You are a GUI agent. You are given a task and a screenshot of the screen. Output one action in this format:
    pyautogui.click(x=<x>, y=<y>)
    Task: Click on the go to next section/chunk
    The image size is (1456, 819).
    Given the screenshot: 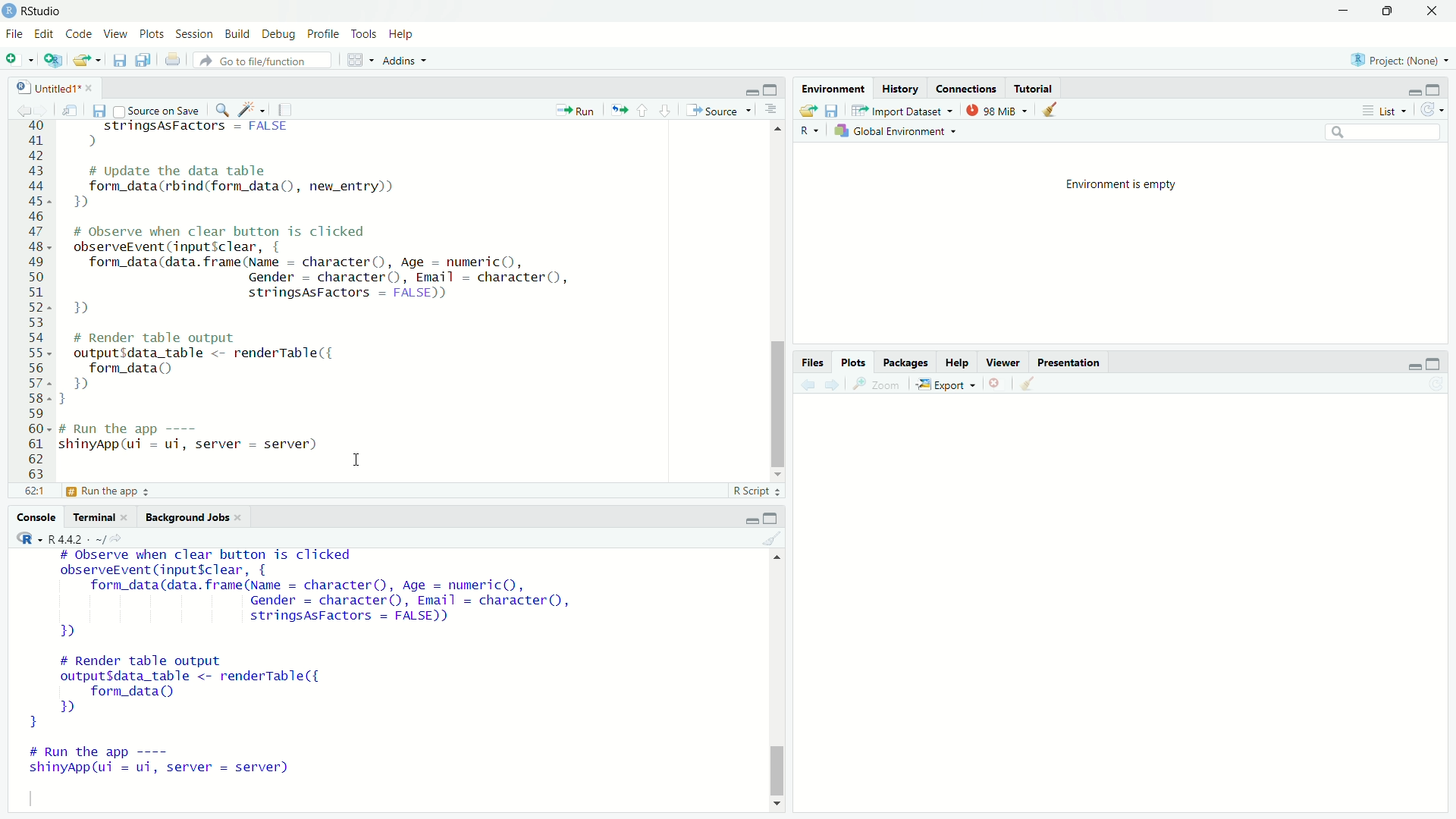 What is the action you would take?
    pyautogui.click(x=664, y=109)
    